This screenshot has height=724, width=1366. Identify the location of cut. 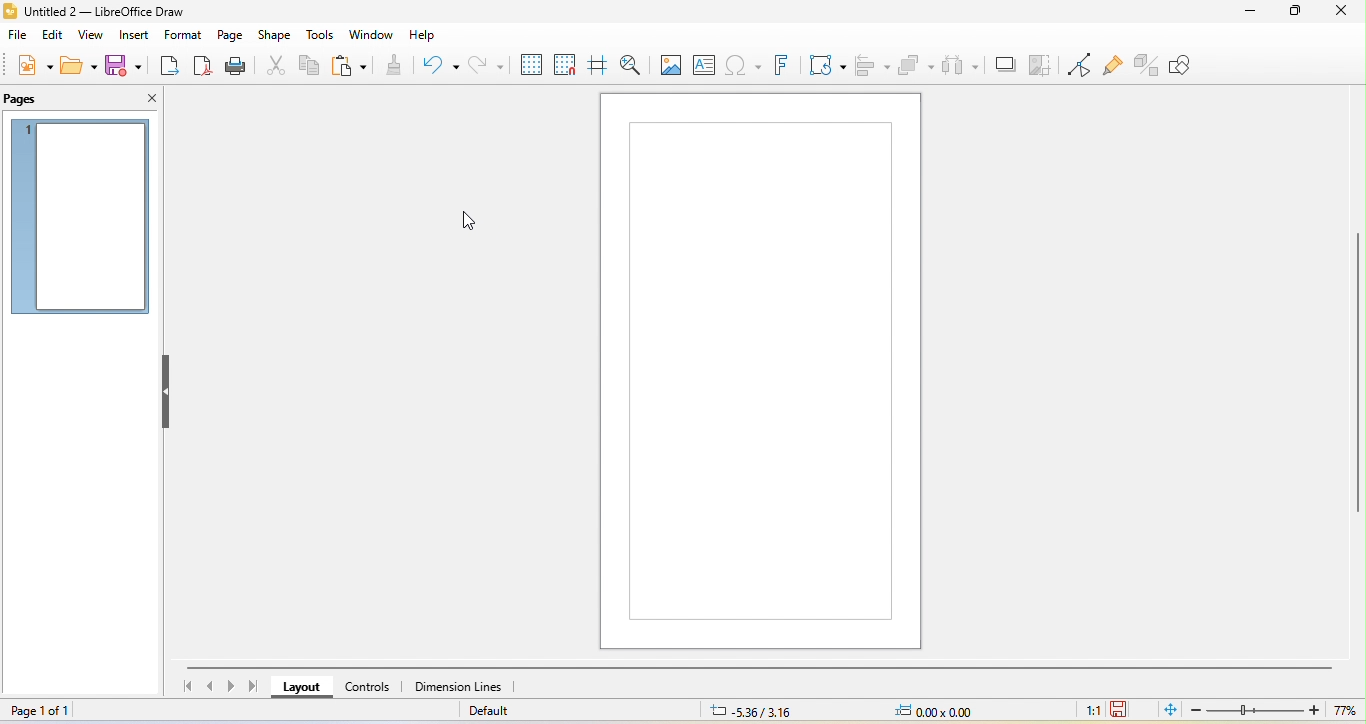
(272, 65).